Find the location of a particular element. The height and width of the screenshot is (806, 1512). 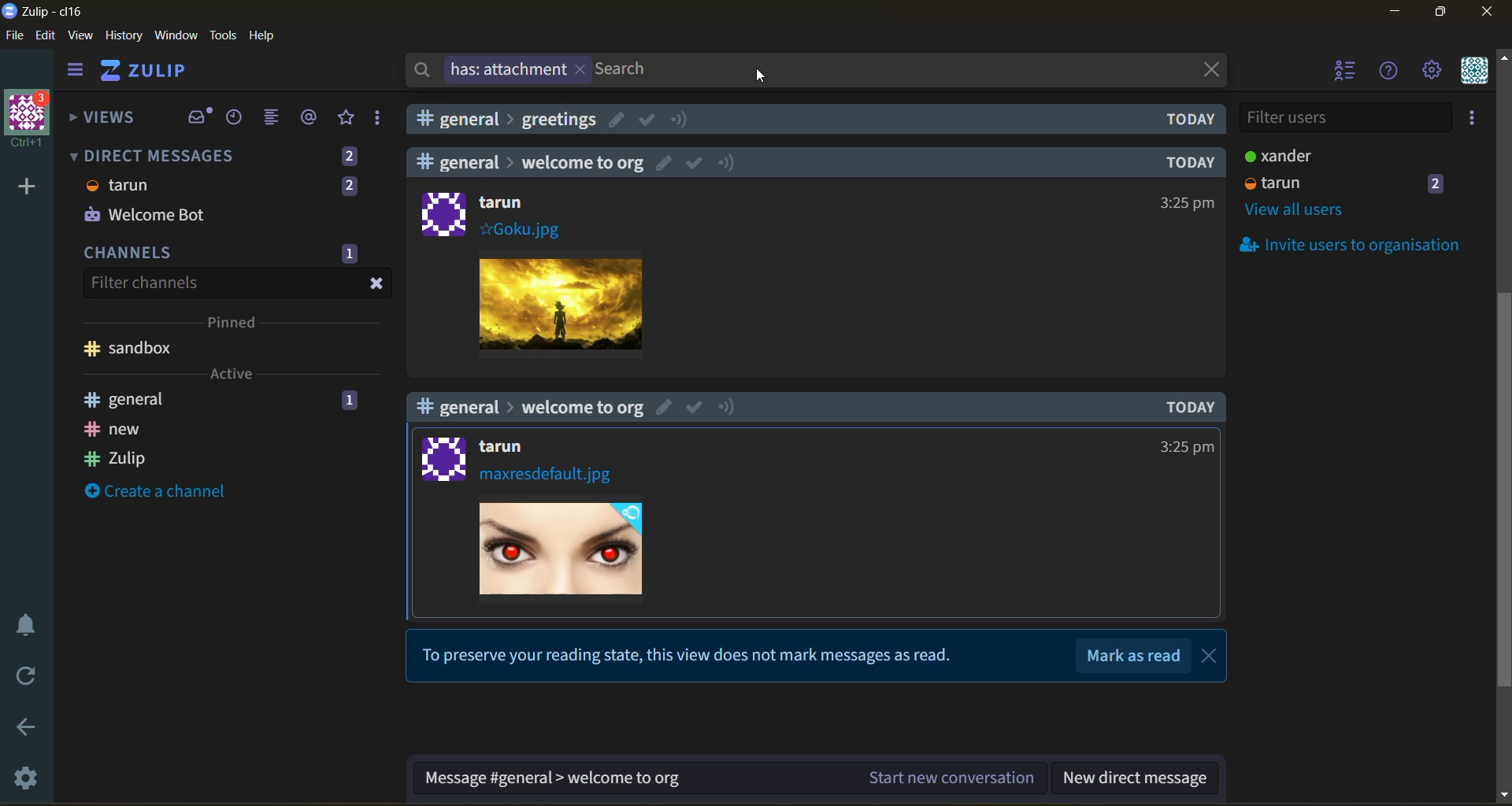

2 is located at coordinates (349, 185).